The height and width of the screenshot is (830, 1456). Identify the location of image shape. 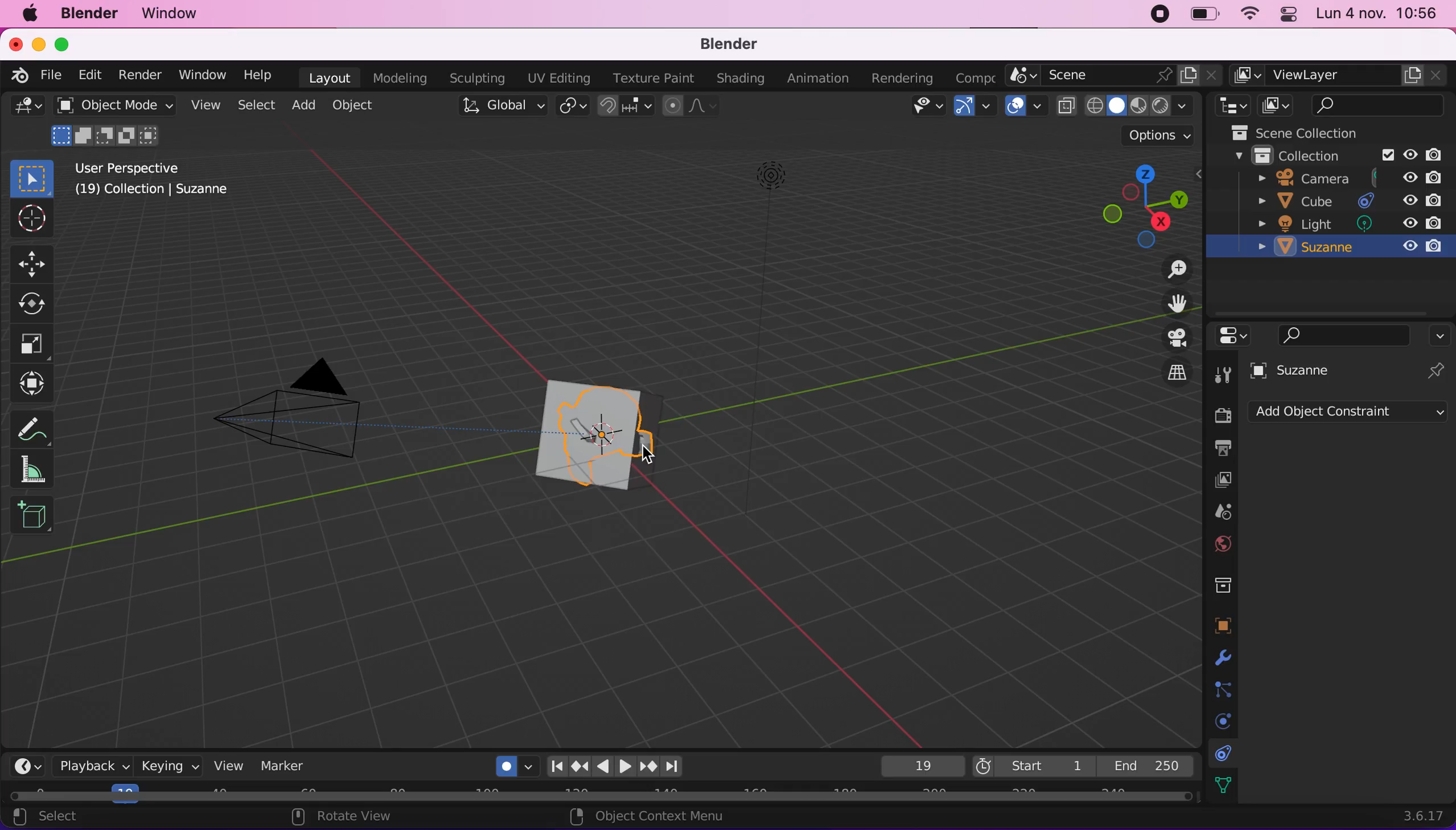
(765, 337).